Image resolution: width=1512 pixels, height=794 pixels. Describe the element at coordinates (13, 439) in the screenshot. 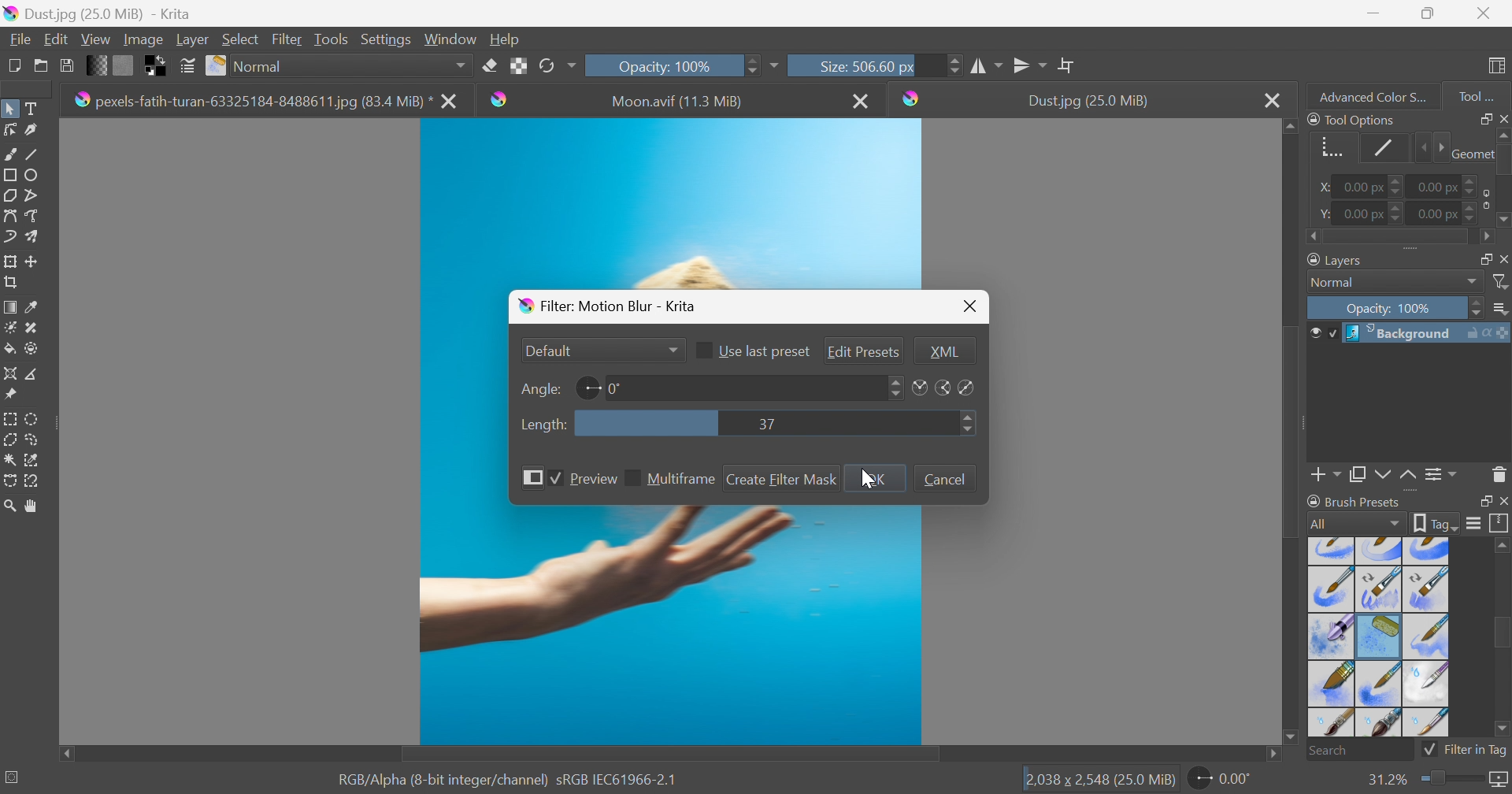

I see `Polygon selection tool` at that location.